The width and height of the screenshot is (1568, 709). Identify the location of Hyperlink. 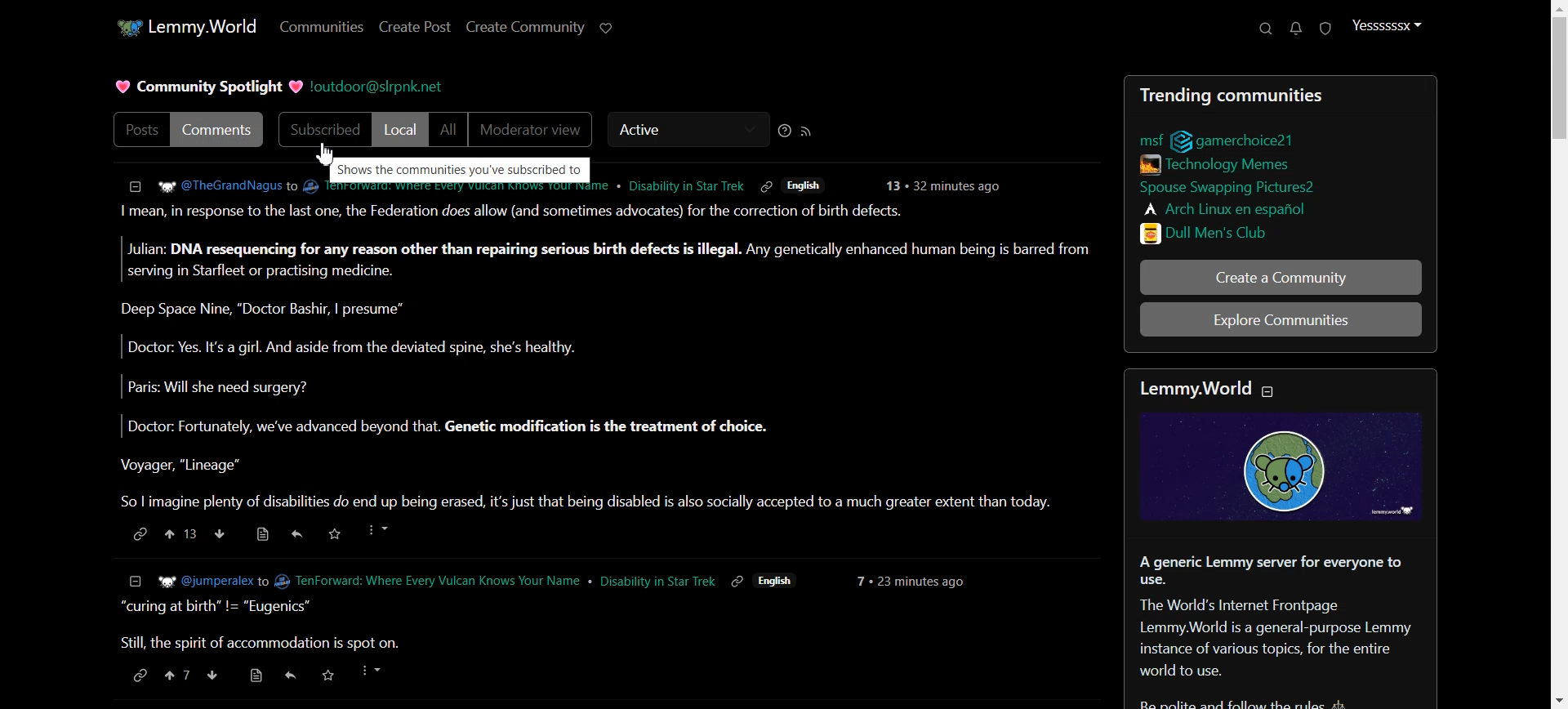
(389, 88).